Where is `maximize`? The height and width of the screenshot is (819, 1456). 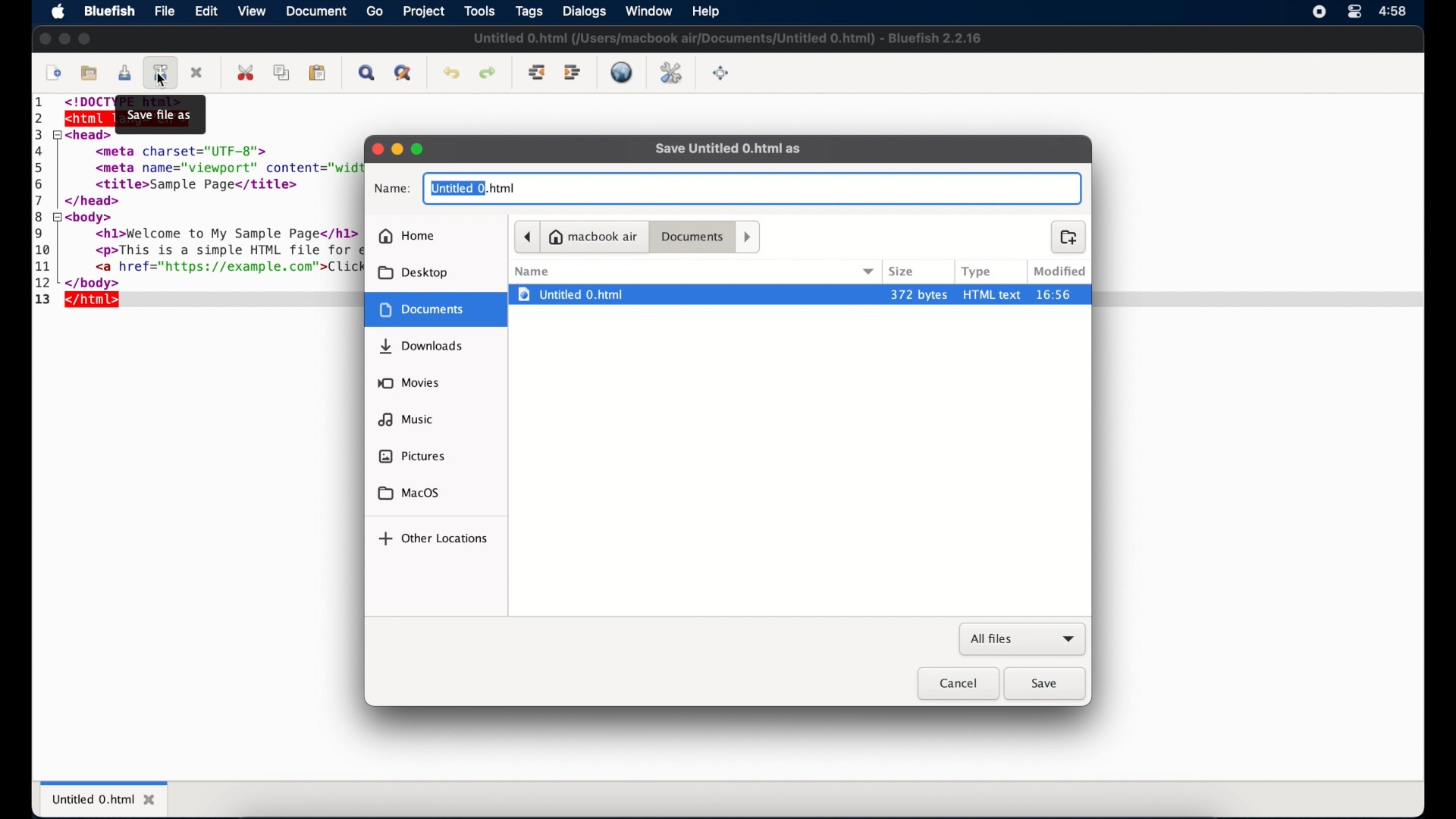 maximize is located at coordinates (86, 39).